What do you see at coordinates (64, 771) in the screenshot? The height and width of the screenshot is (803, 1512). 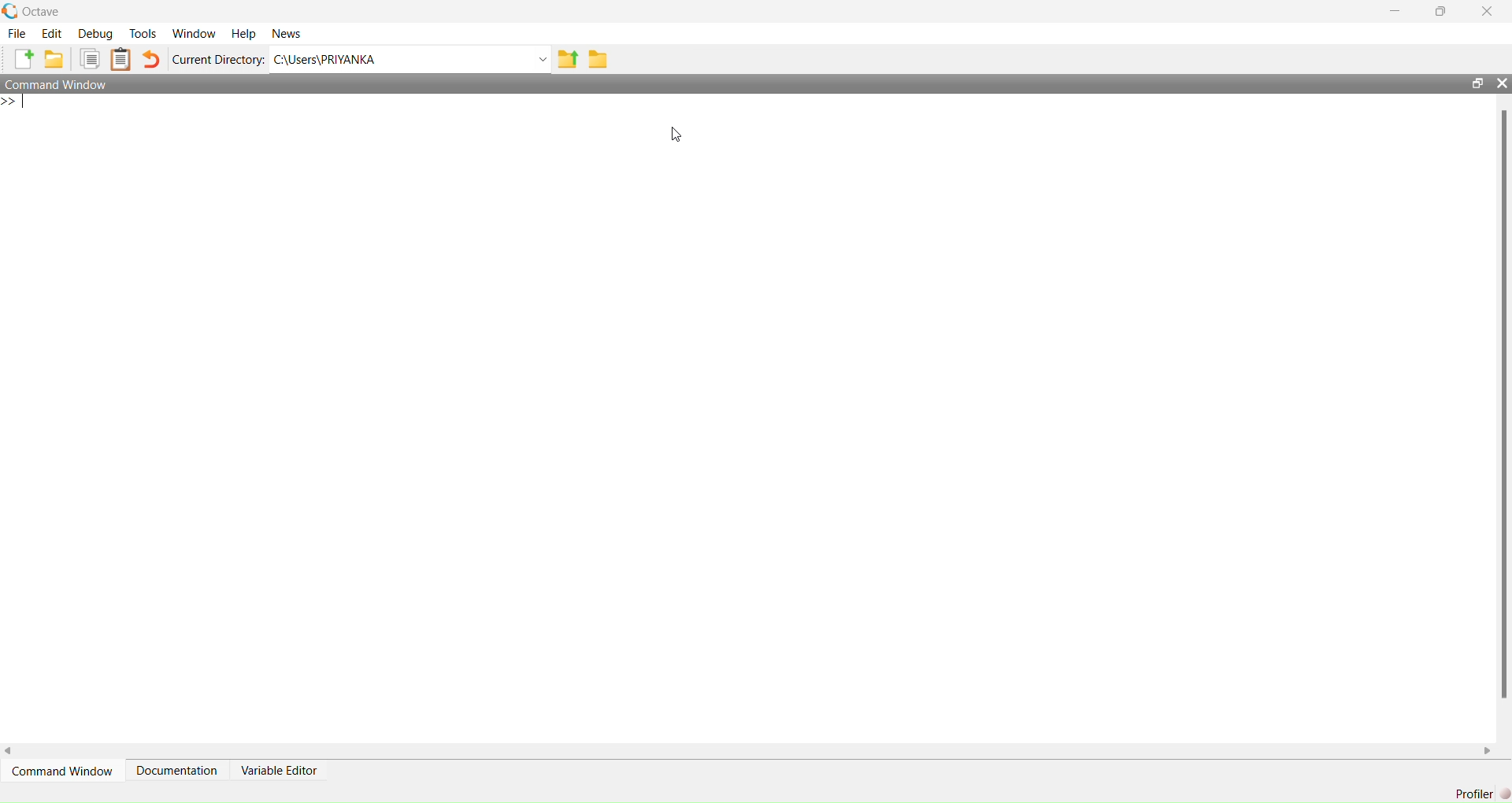 I see `command window` at bounding box center [64, 771].